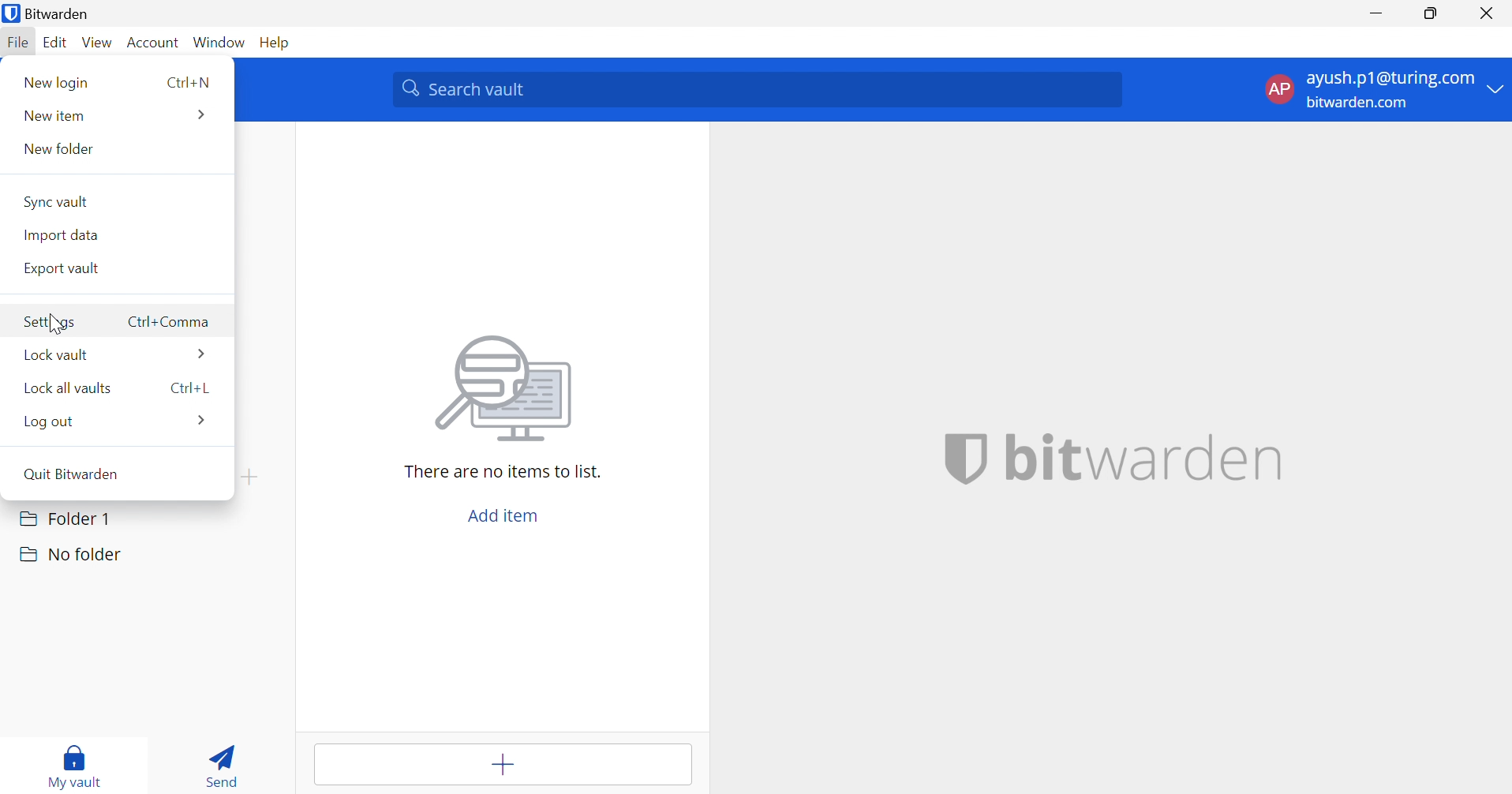  I want to click on C, so click(169, 323).